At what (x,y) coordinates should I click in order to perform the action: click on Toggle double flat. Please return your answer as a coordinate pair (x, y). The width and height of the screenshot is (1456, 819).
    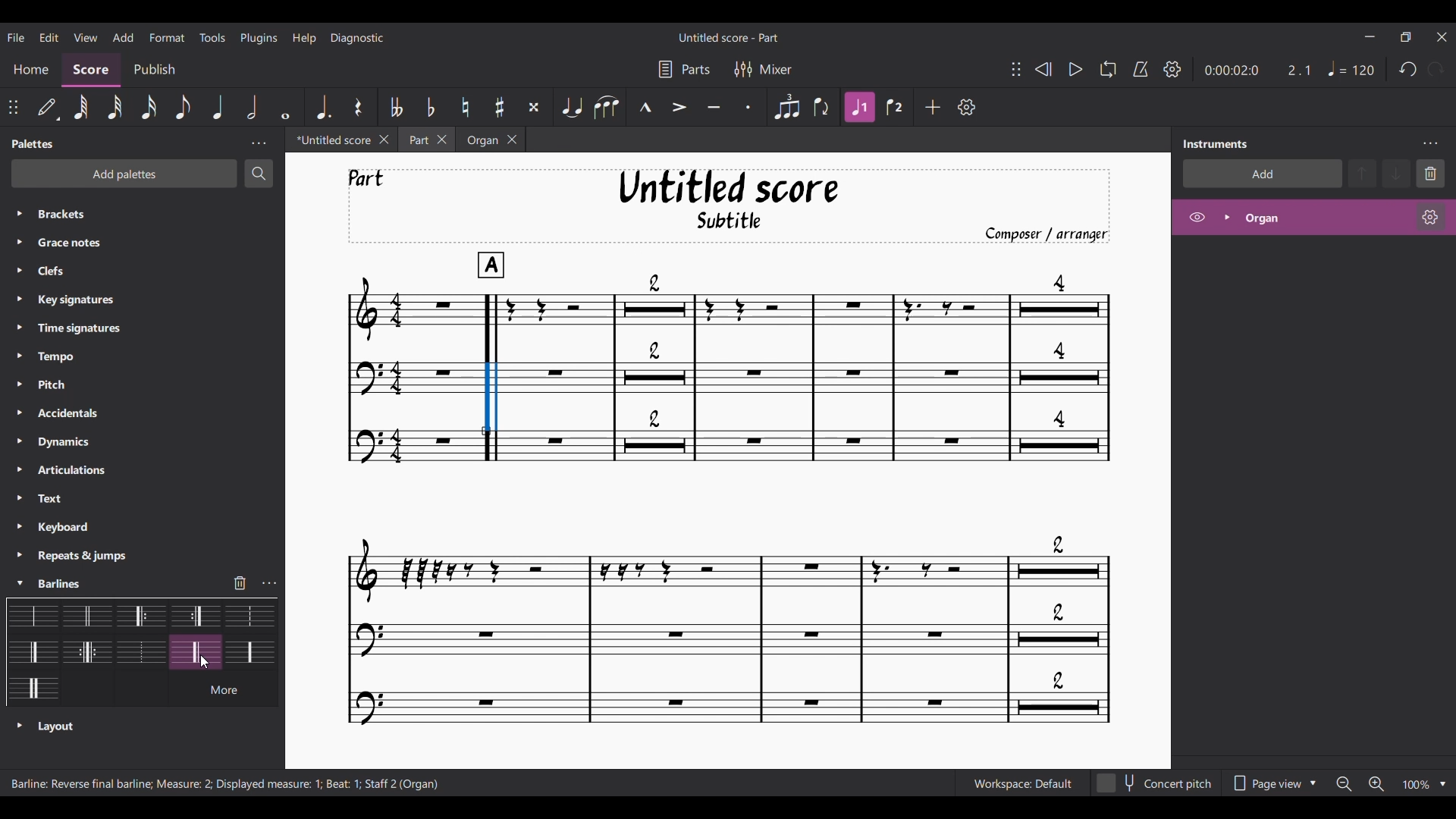
    Looking at the image, I should click on (397, 106).